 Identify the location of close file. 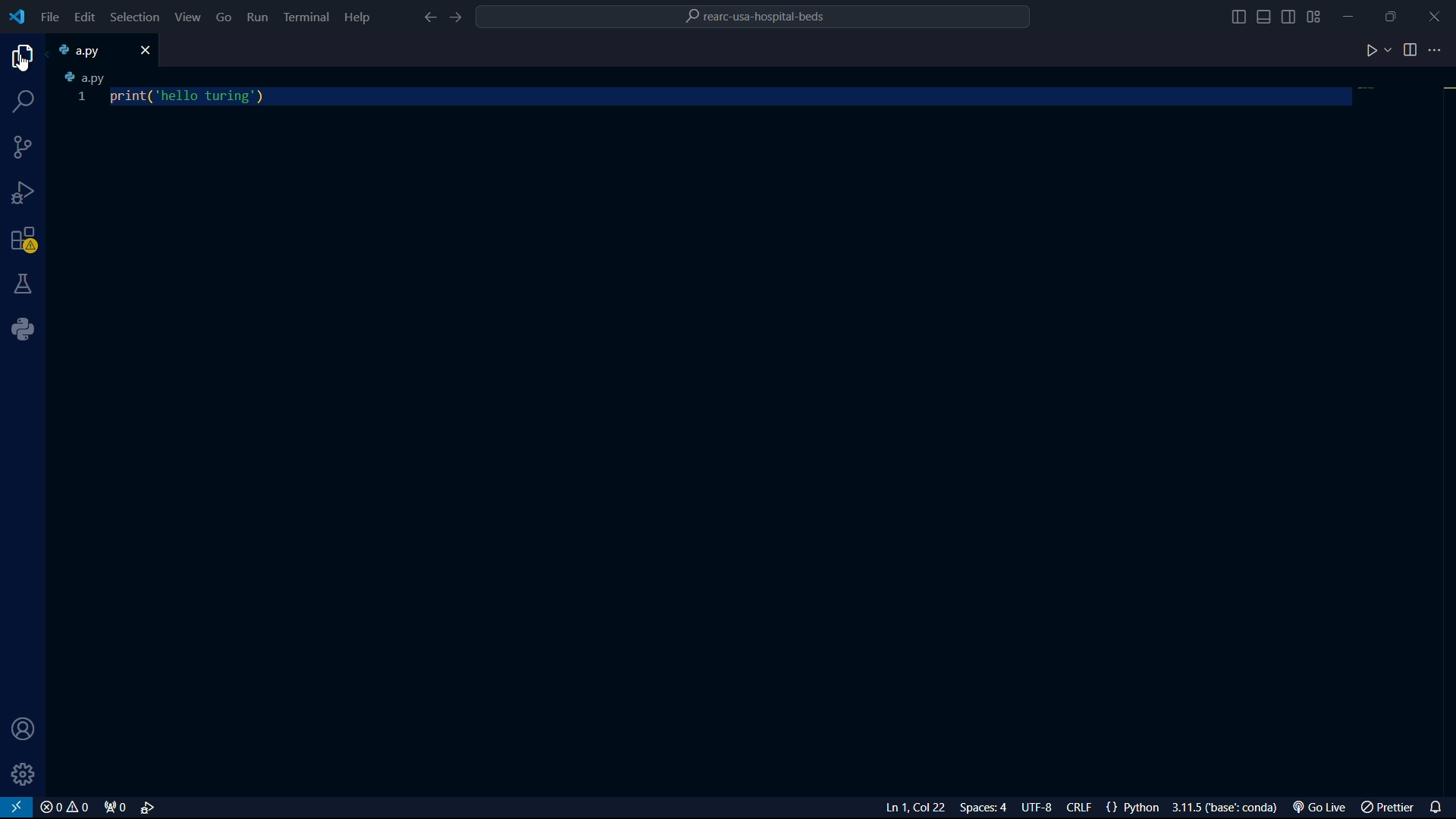
(144, 49).